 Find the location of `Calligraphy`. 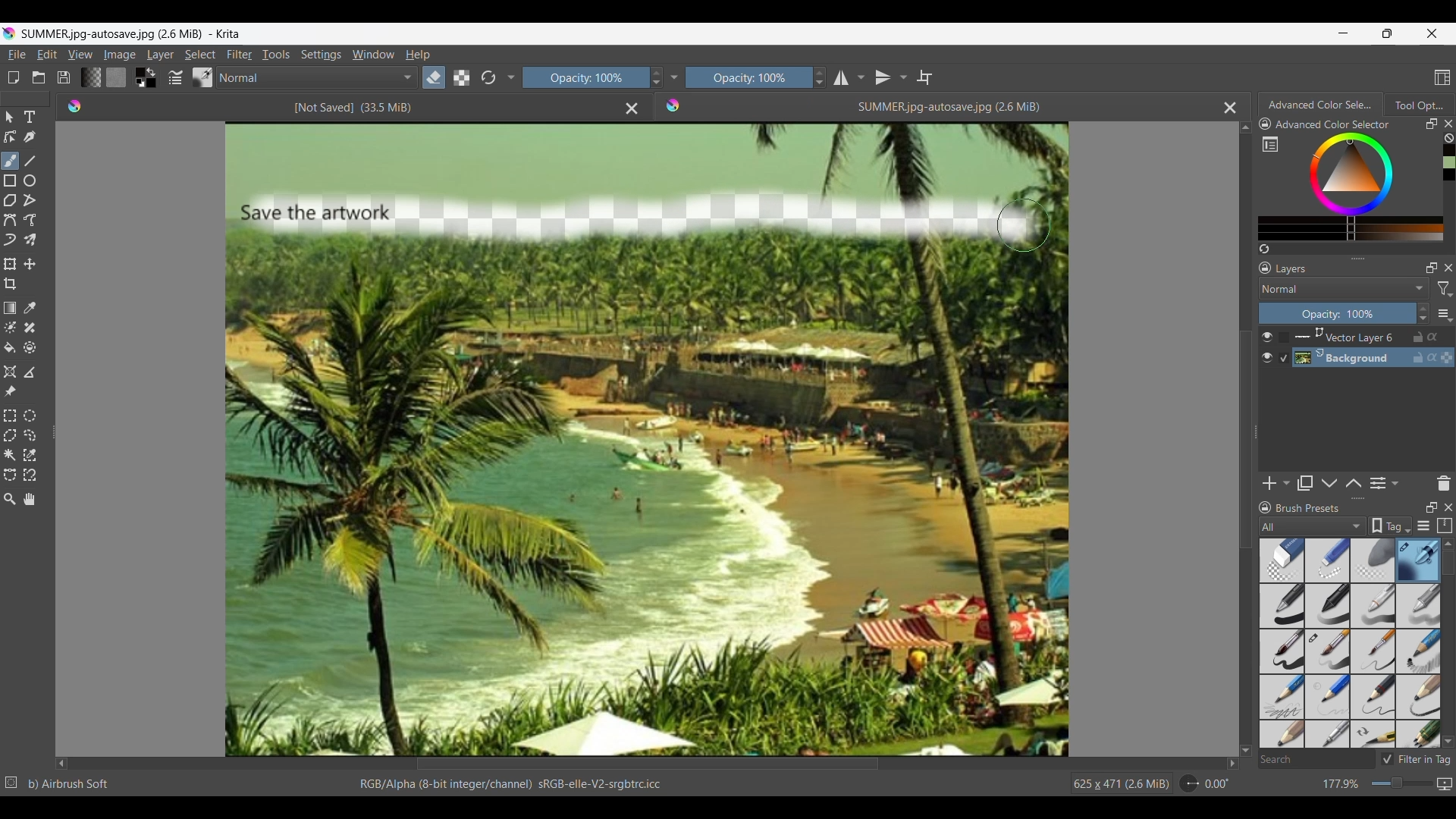

Calligraphy is located at coordinates (30, 137).